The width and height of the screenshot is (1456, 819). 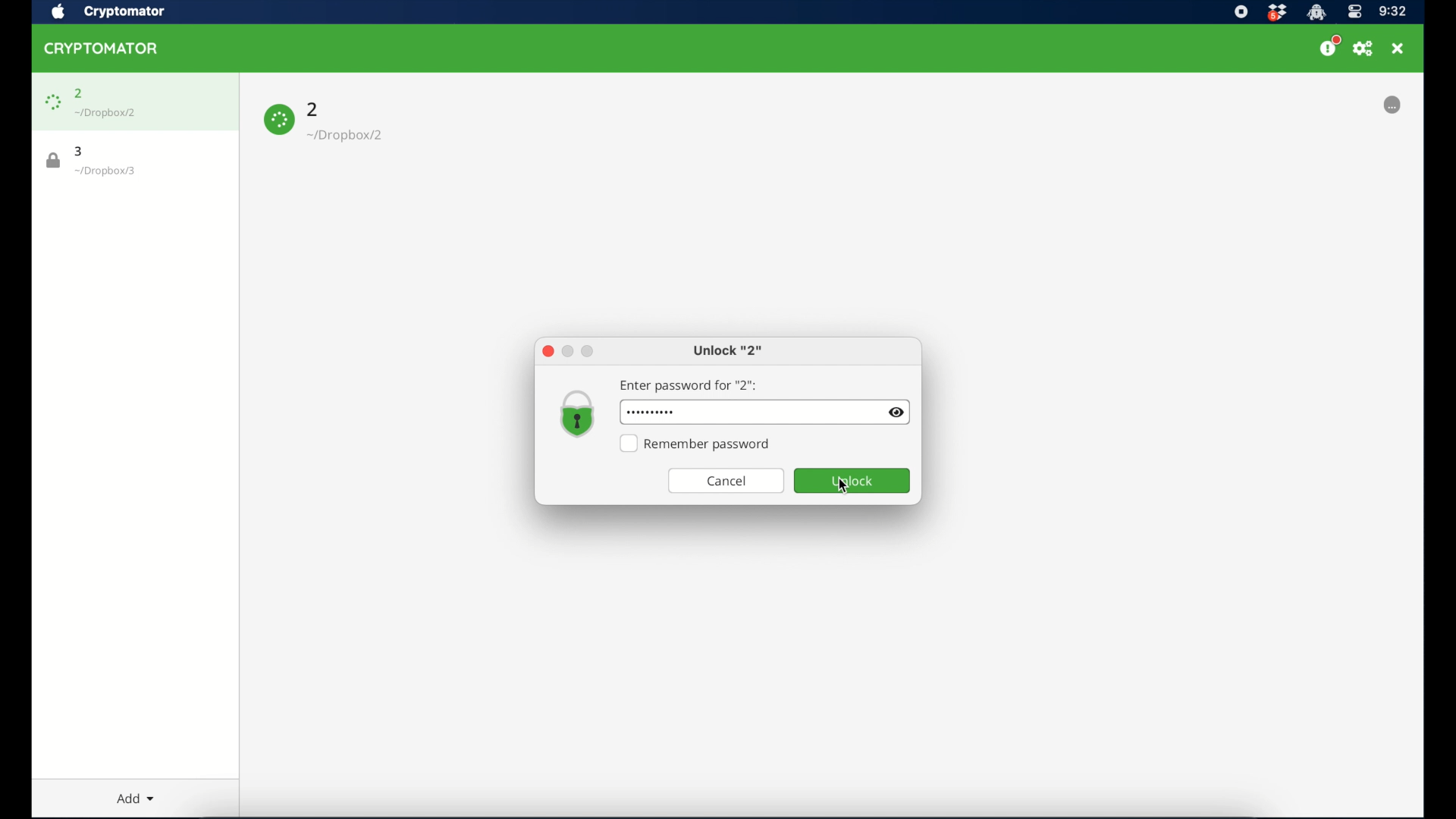 I want to click on visibility icon, so click(x=897, y=413).